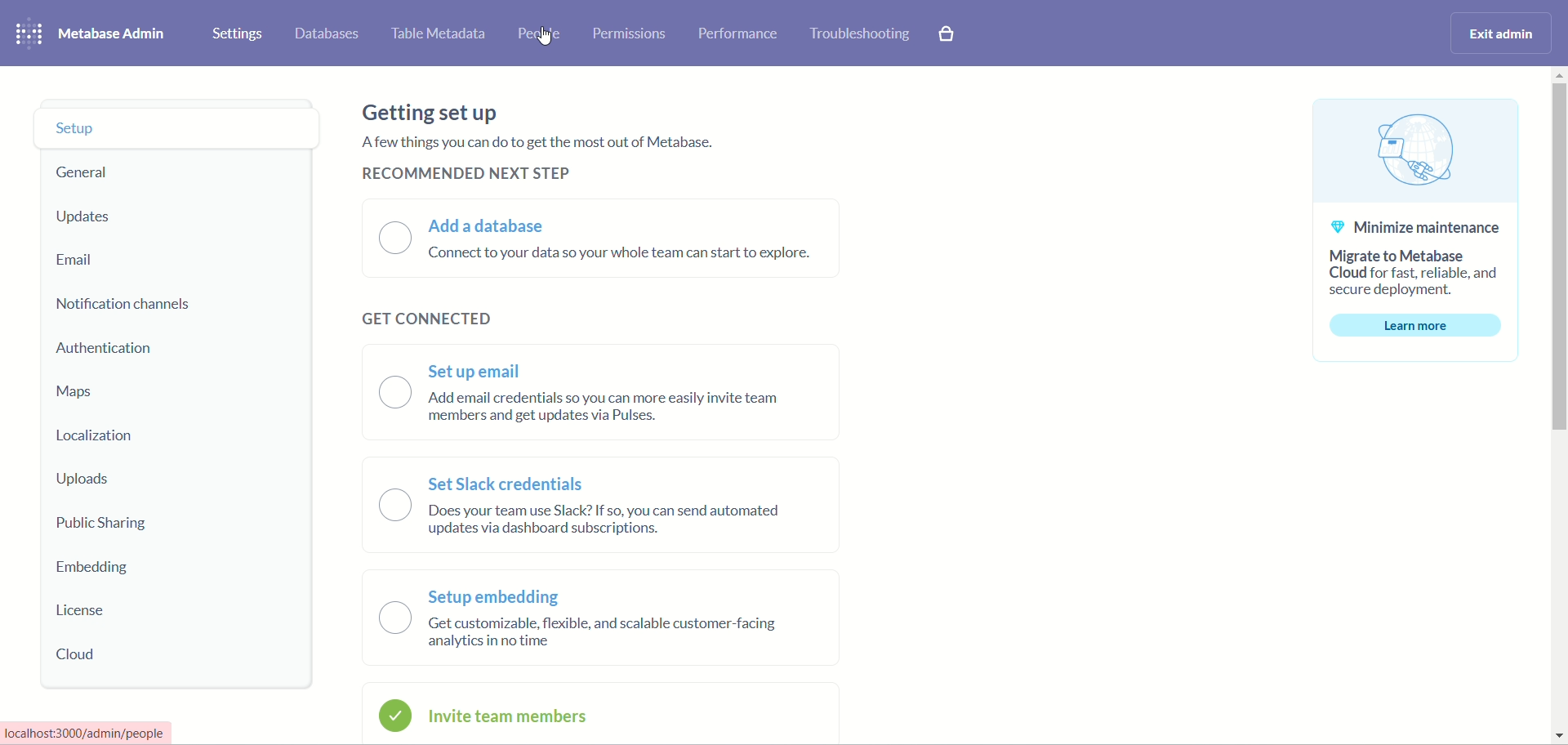 Image resolution: width=1568 pixels, height=745 pixels. Describe the element at coordinates (332, 35) in the screenshot. I see `databases` at that location.